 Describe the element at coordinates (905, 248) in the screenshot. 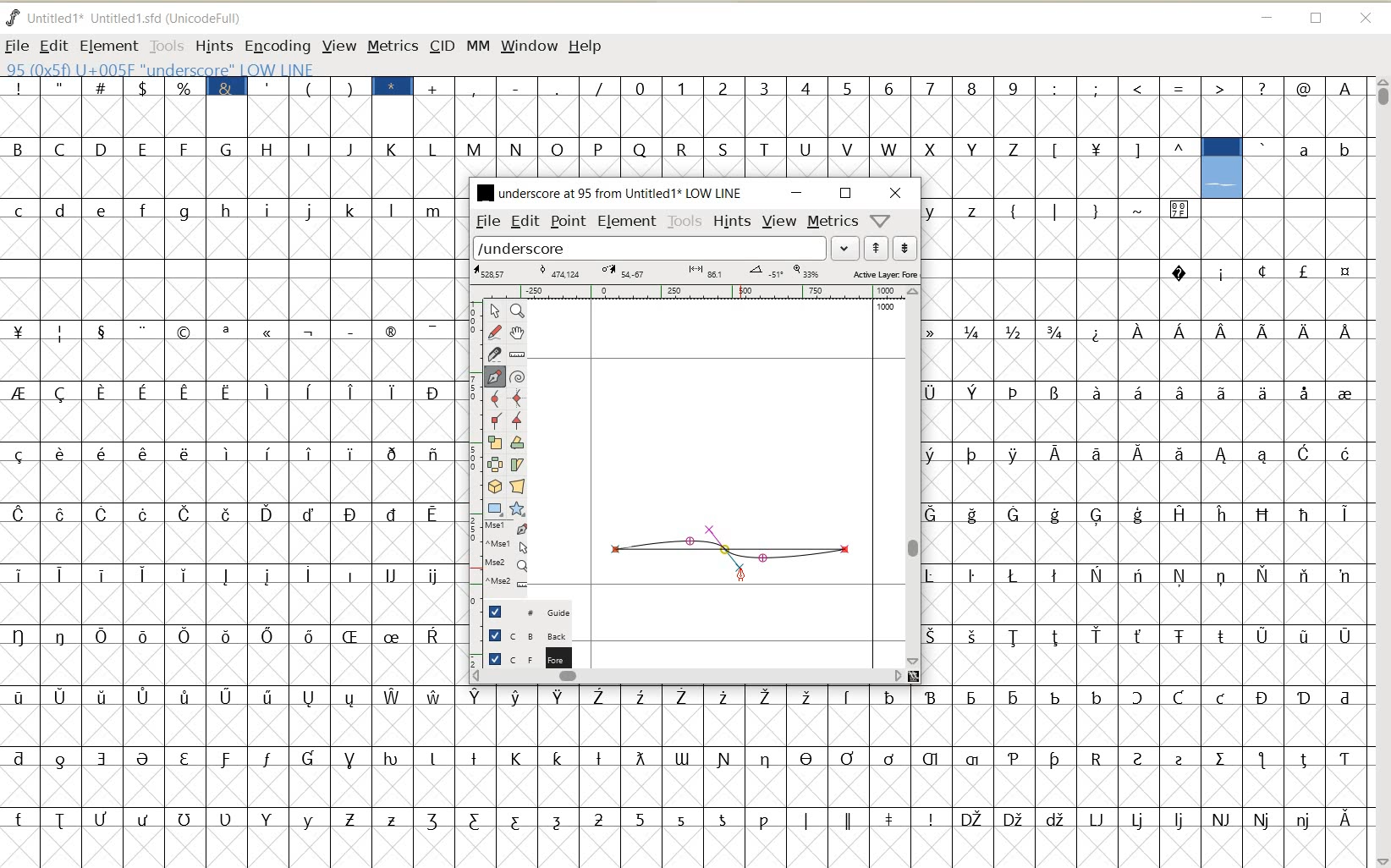

I see `show next word list` at that location.